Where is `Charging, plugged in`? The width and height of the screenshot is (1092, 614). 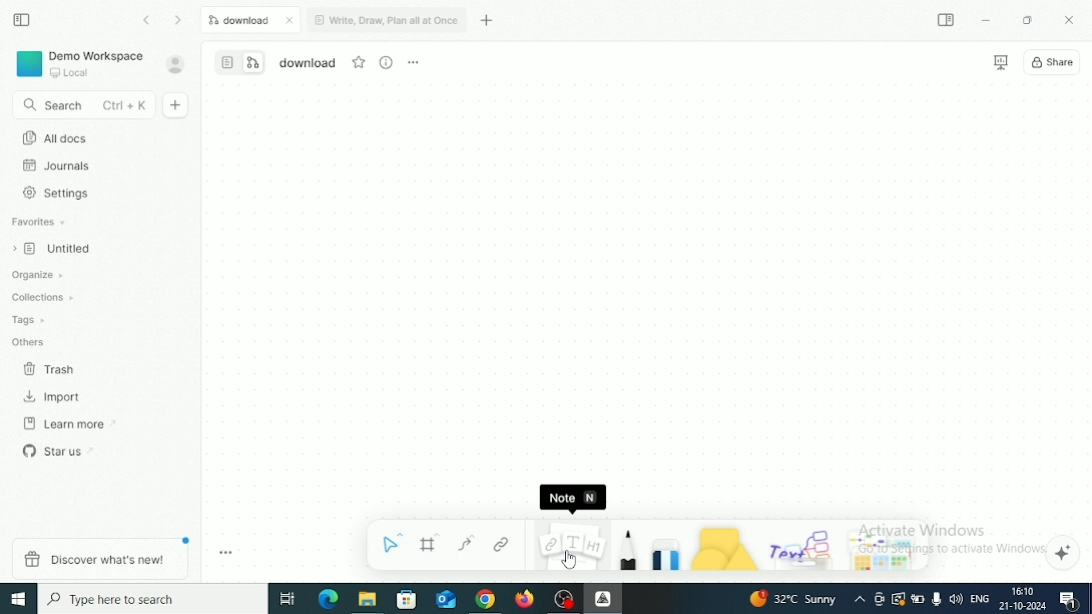 Charging, plugged in is located at coordinates (919, 597).